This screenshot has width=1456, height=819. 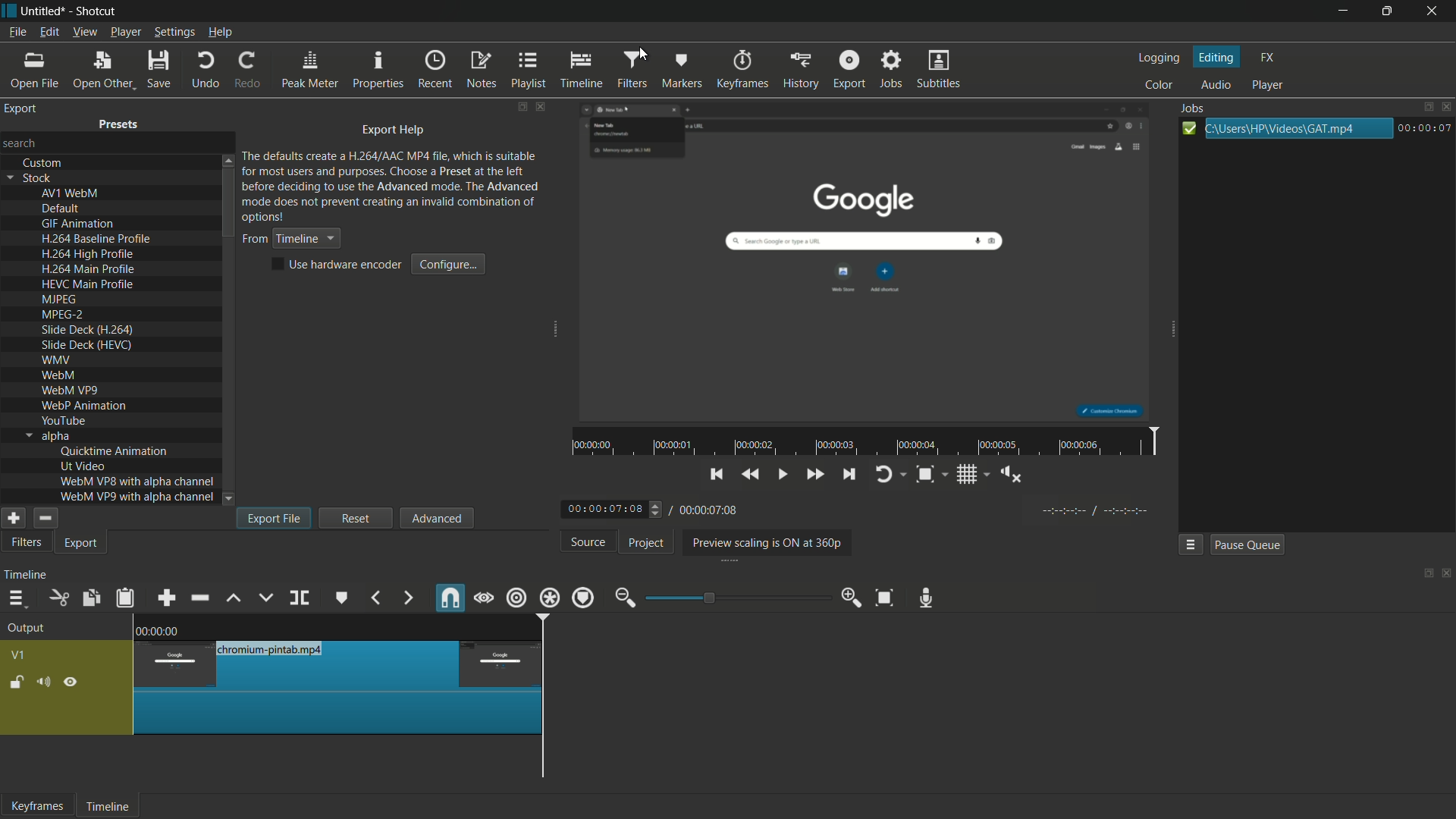 I want to click on zoom out, so click(x=625, y=599).